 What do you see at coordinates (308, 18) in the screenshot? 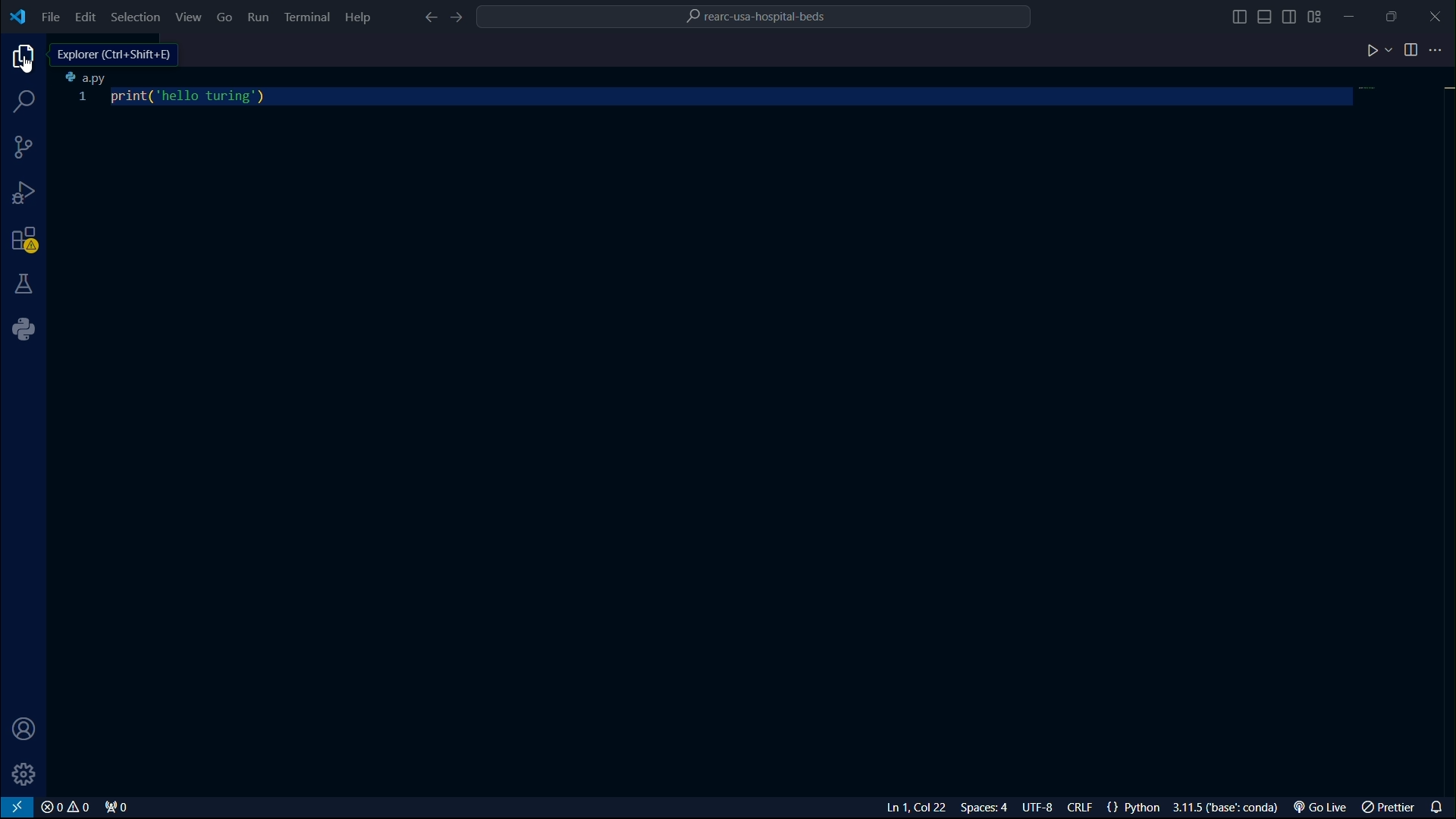
I see `terminal menu` at bounding box center [308, 18].